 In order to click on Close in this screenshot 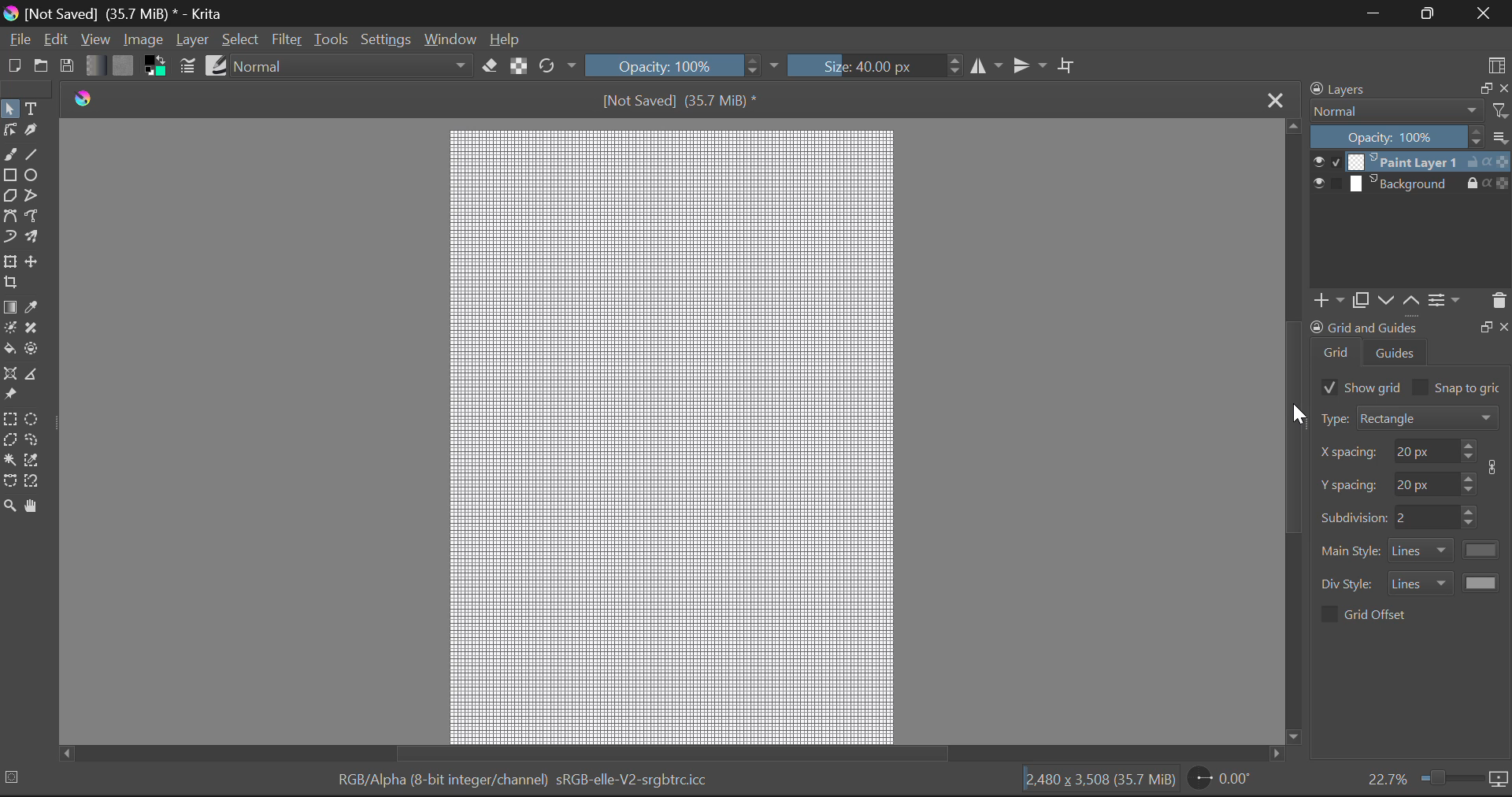, I will do `click(1273, 98)`.